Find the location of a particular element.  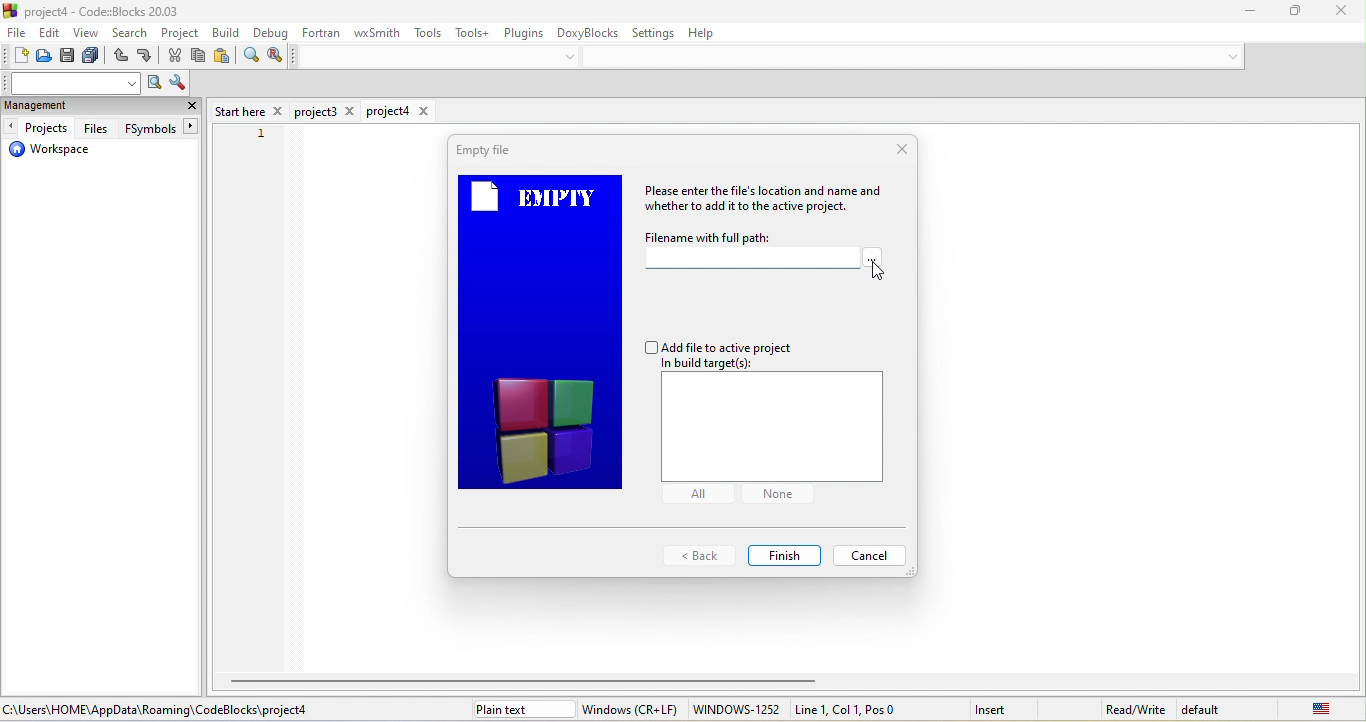

management is located at coordinates (61, 107).